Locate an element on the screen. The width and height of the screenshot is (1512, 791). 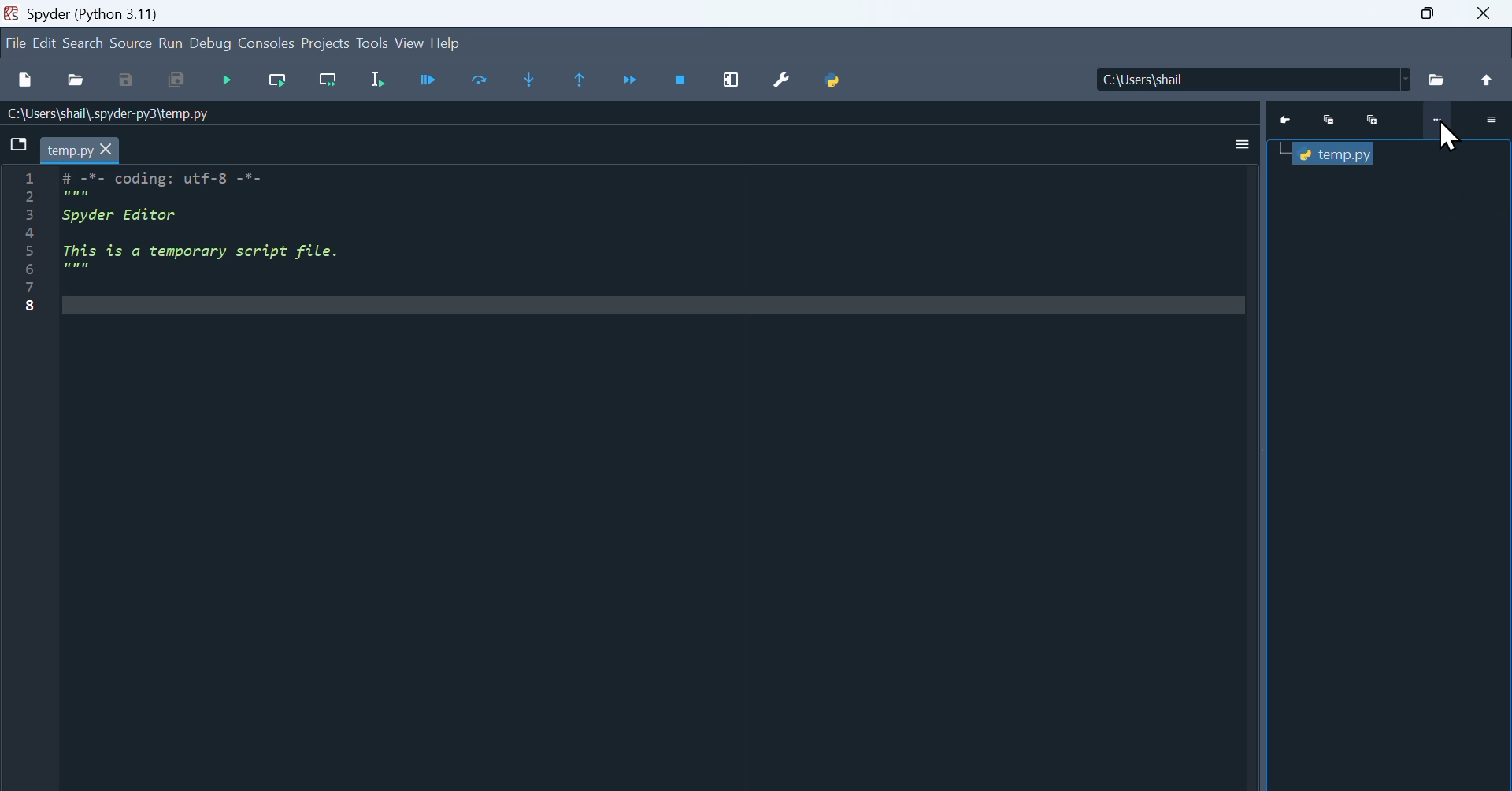
More options is located at coordinates (1243, 145).